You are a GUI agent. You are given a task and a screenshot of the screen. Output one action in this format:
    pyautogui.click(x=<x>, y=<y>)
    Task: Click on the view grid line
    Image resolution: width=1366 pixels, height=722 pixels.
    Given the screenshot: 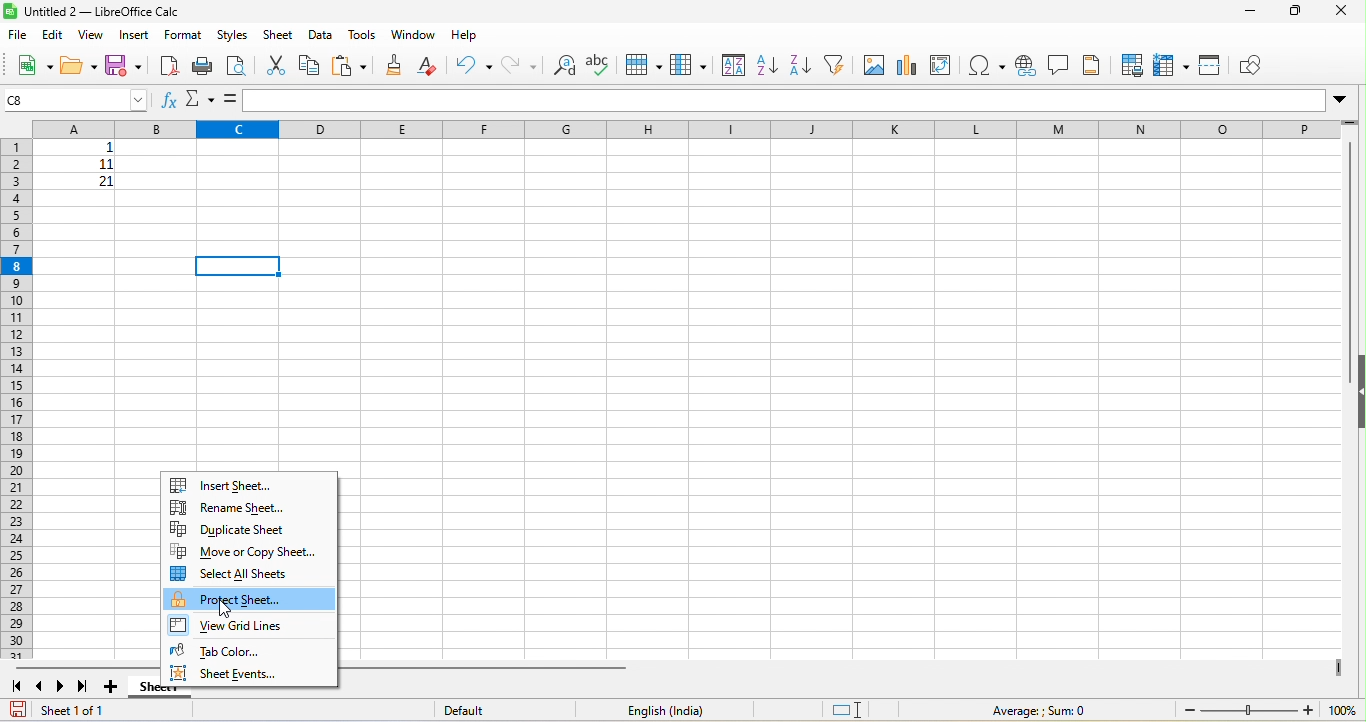 What is the action you would take?
    pyautogui.click(x=236, y=626)
    